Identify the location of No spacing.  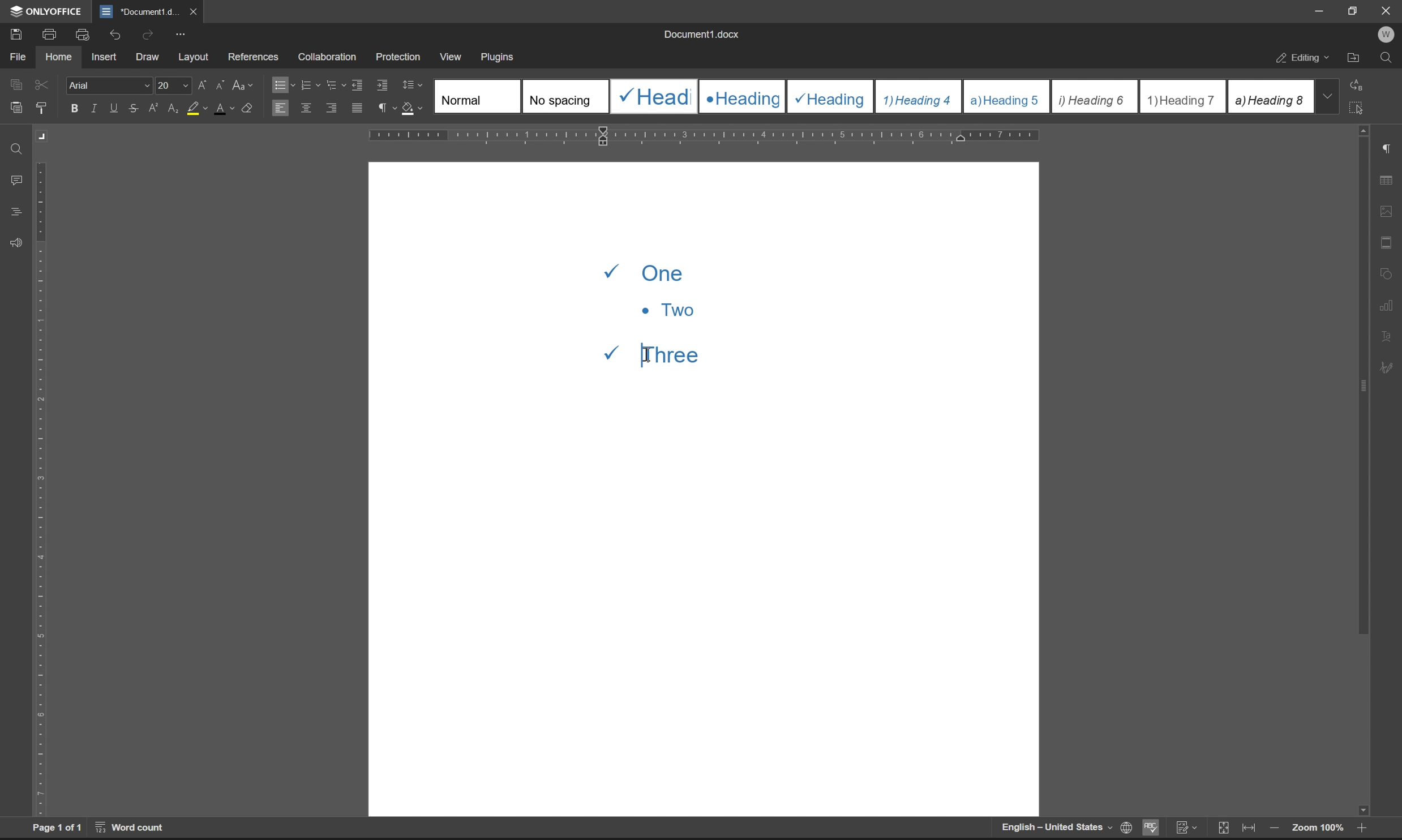
(564, 96).